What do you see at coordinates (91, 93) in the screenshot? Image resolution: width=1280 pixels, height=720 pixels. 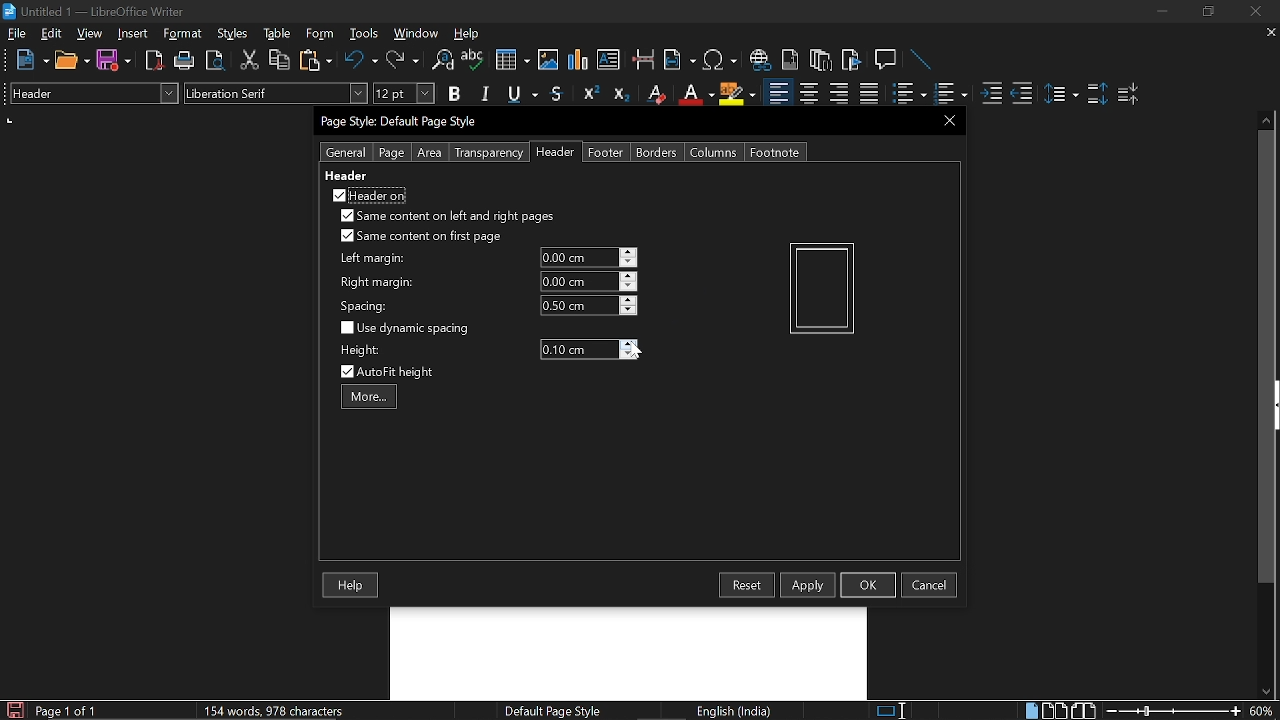 I see `Paragraph style` at bounding box center [91, 93].